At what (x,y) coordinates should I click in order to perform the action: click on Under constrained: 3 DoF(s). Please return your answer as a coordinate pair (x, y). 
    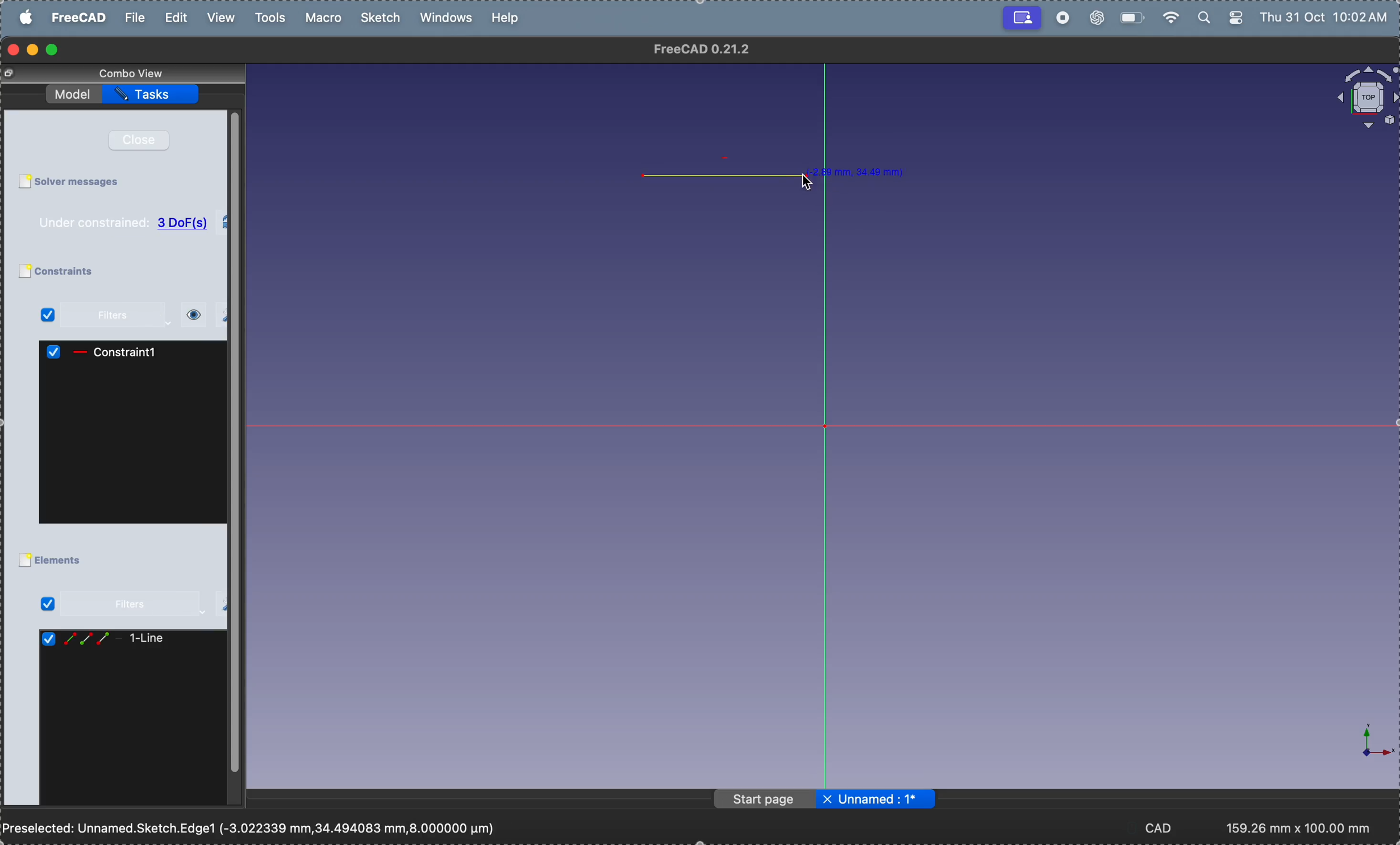
    Looking at the image, I should click on (124, 223).